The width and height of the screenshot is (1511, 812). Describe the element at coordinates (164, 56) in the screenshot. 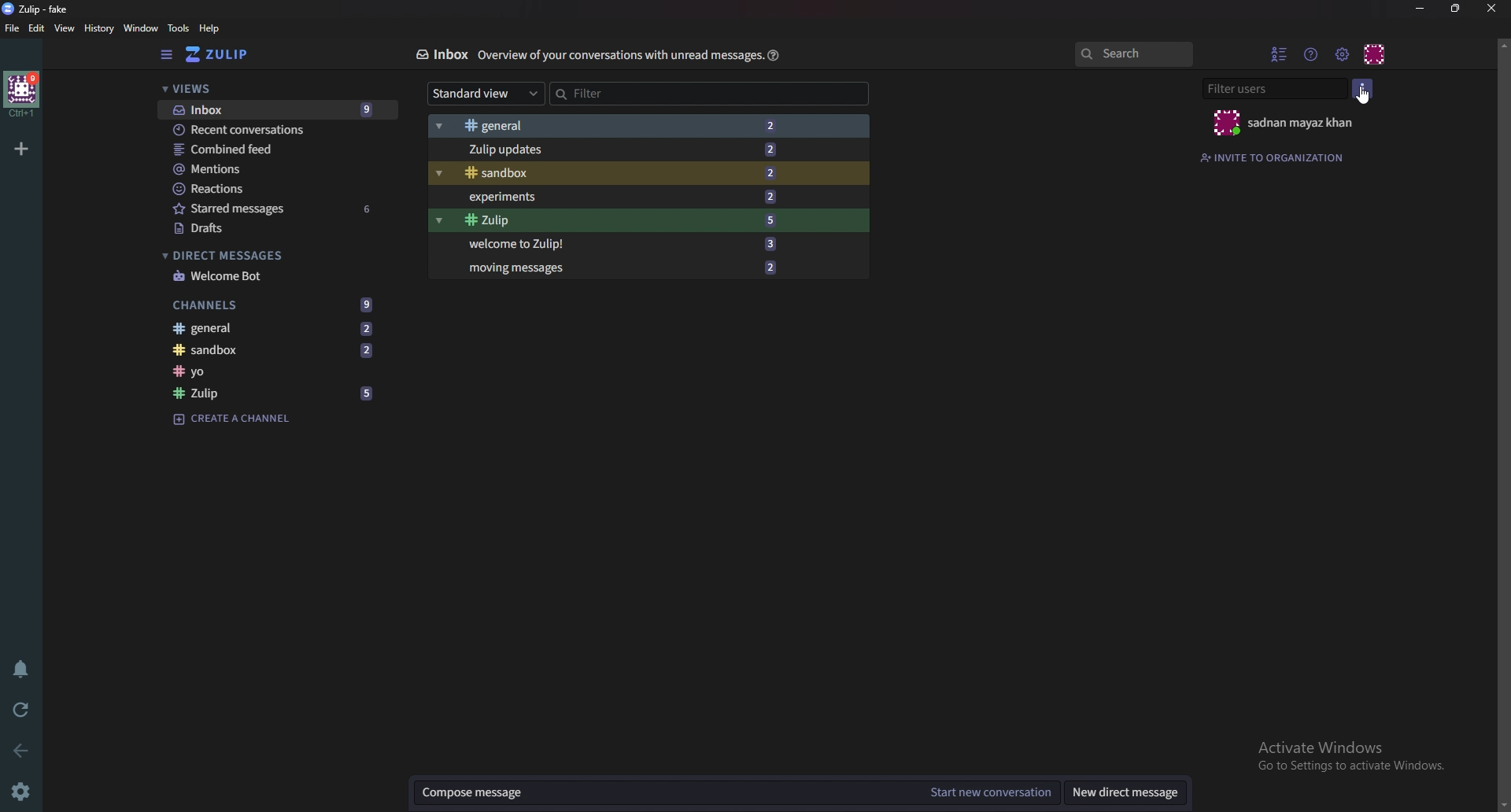

I see `Hide sidebar` at that location.